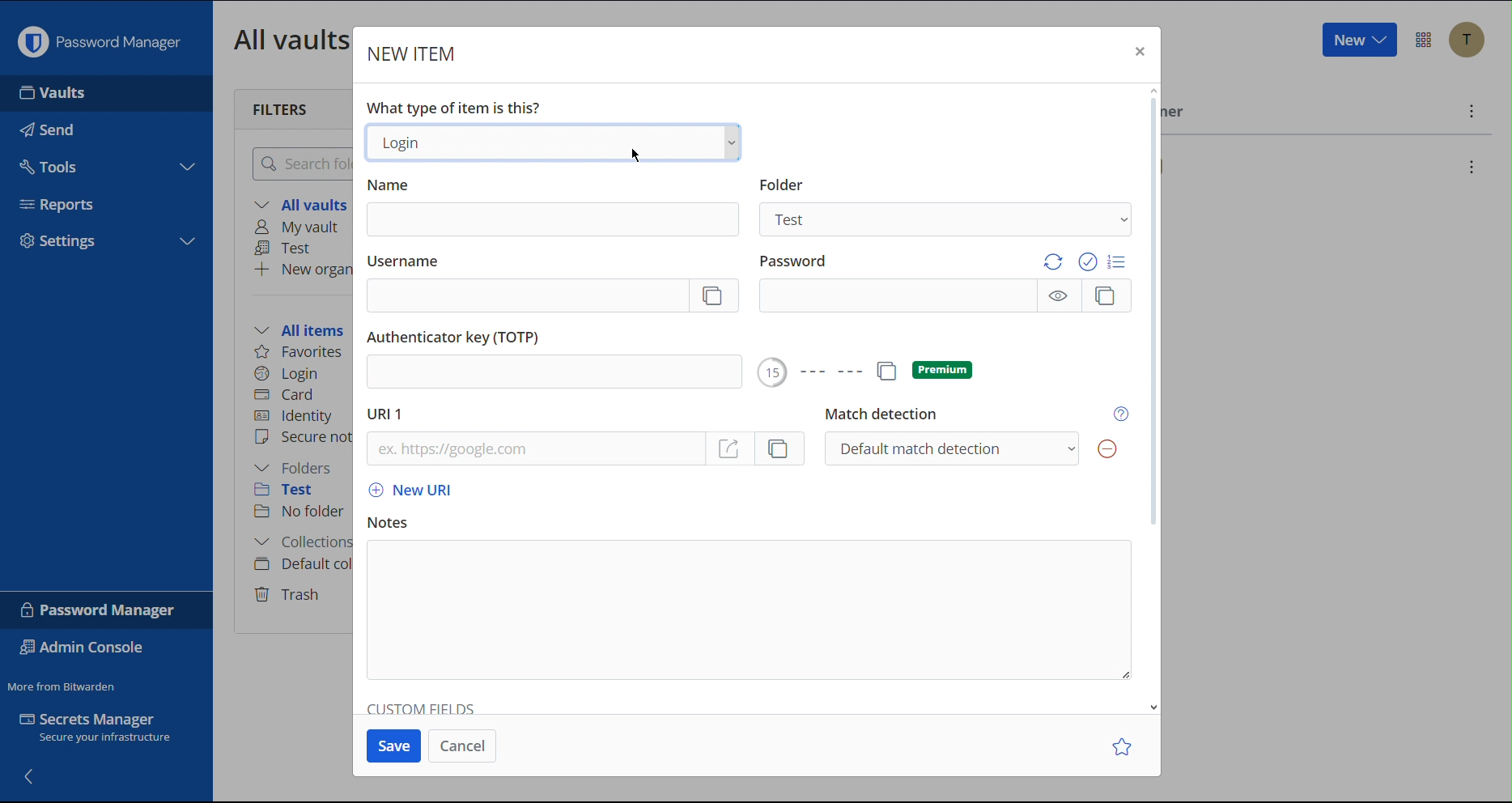 This screenshot has height=803, width=1512. I want to click on Username, so click(552, 296).